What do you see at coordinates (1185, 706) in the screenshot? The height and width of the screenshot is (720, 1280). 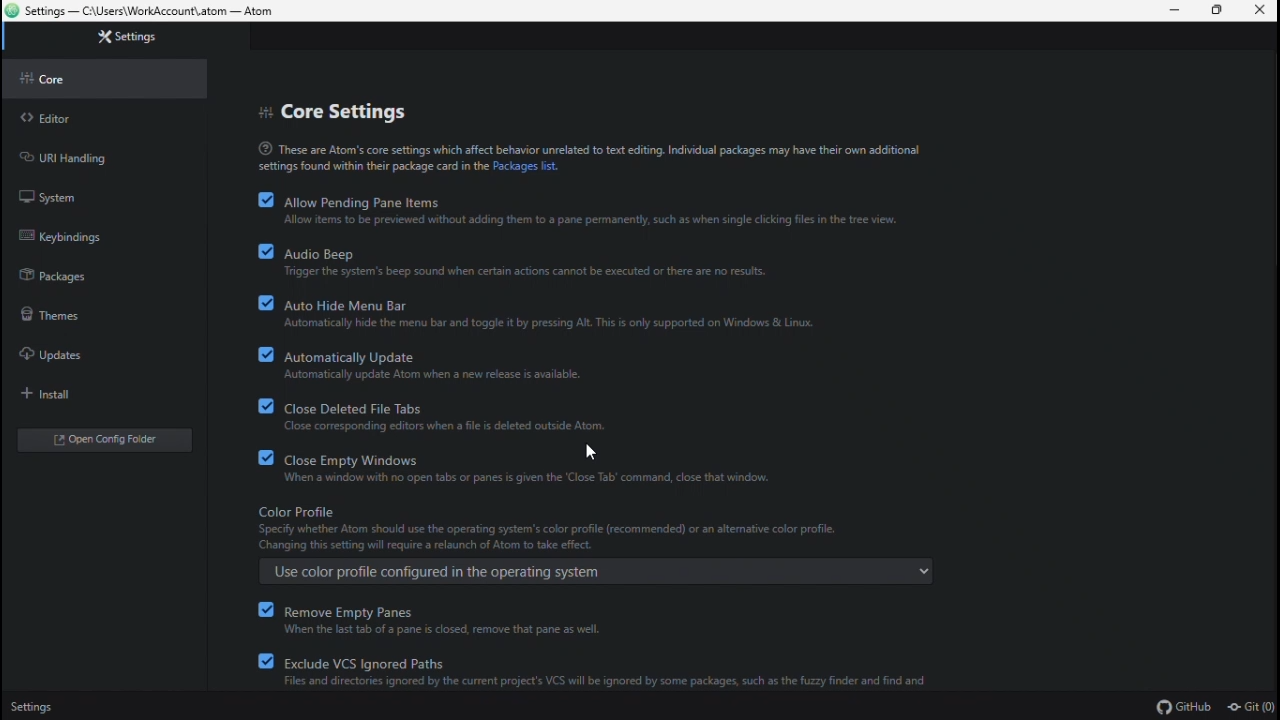 I see `GitHub` at bounding box center [1185, 706].